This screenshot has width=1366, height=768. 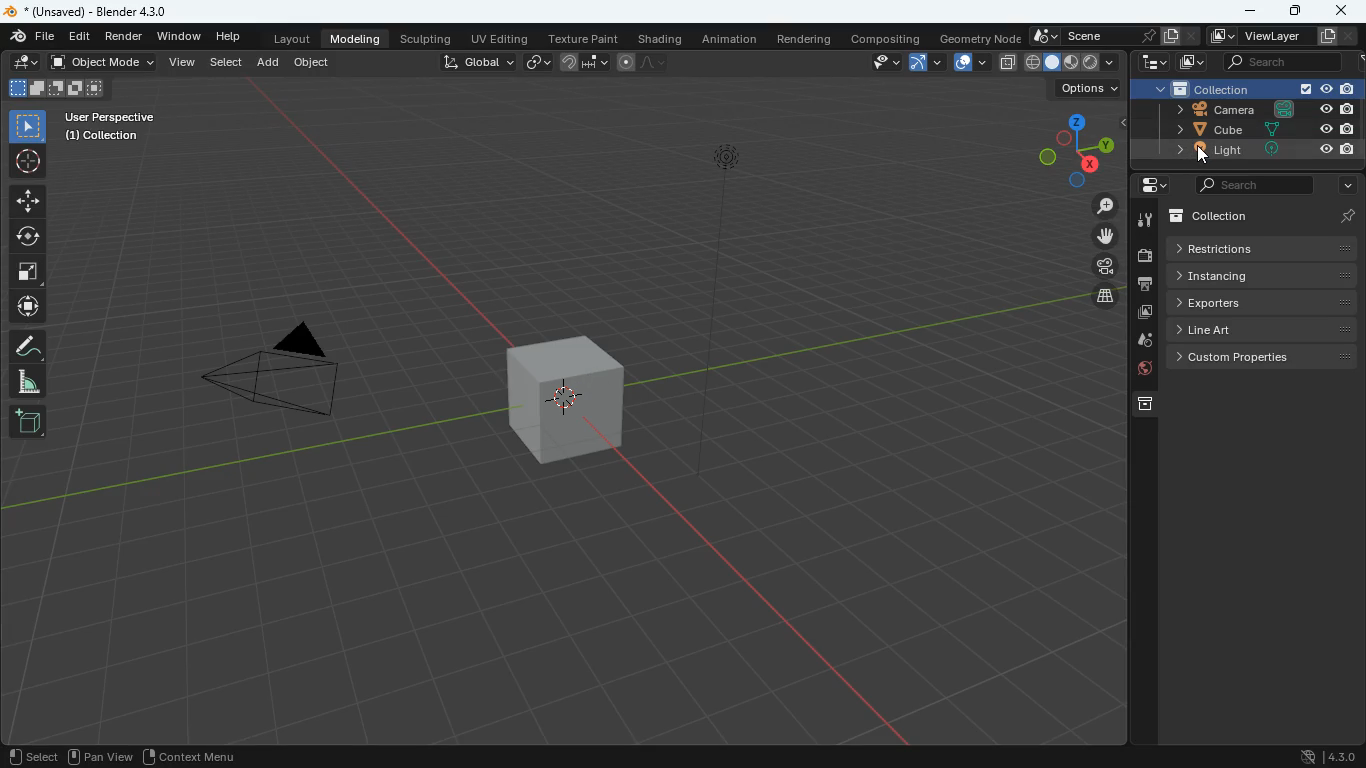 What do you see at coordinates (1252, 12) in the screenshot?
I see `minimize` at bounding box center [1252, 12].